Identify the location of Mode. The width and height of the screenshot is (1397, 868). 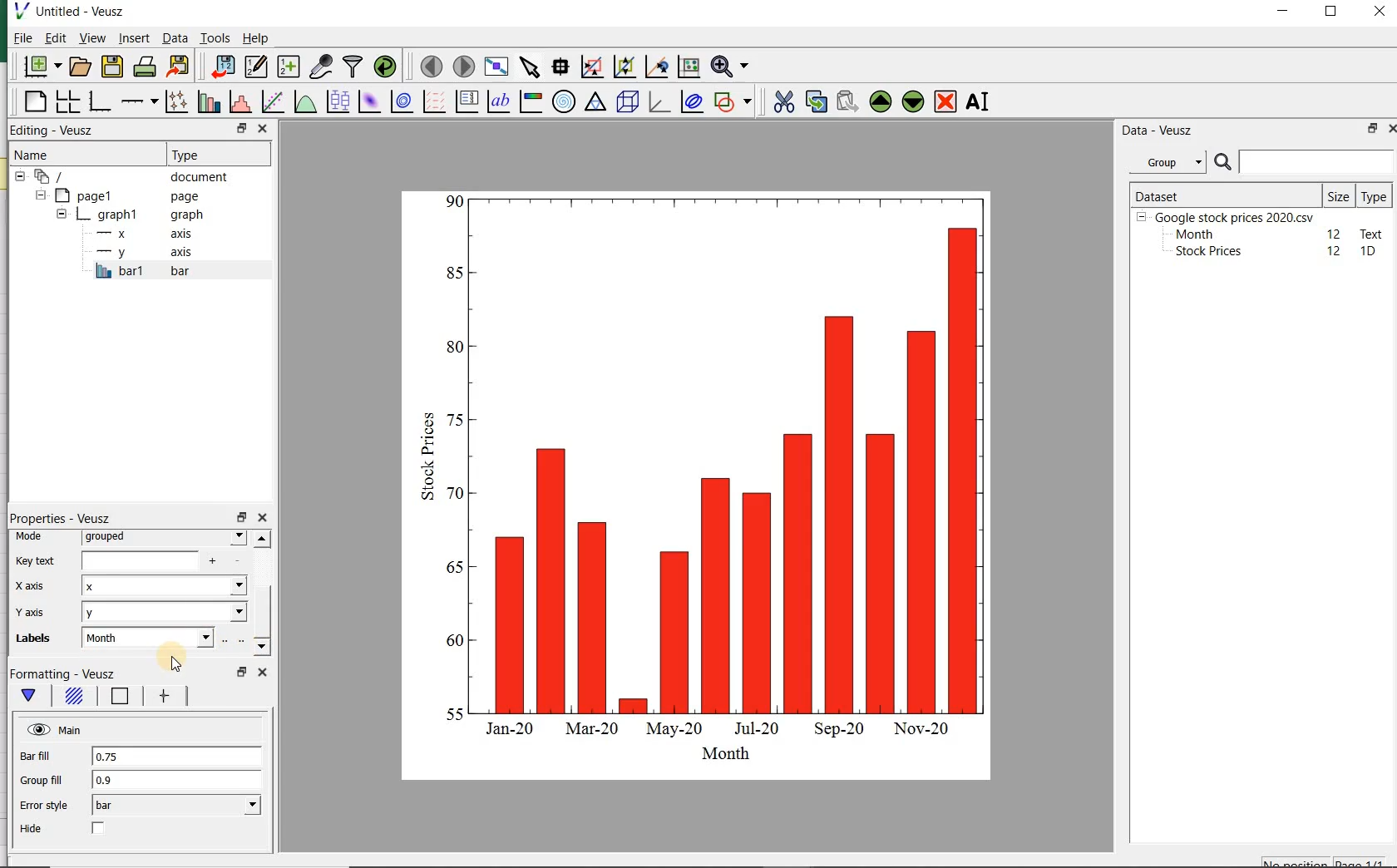
(32, 538).